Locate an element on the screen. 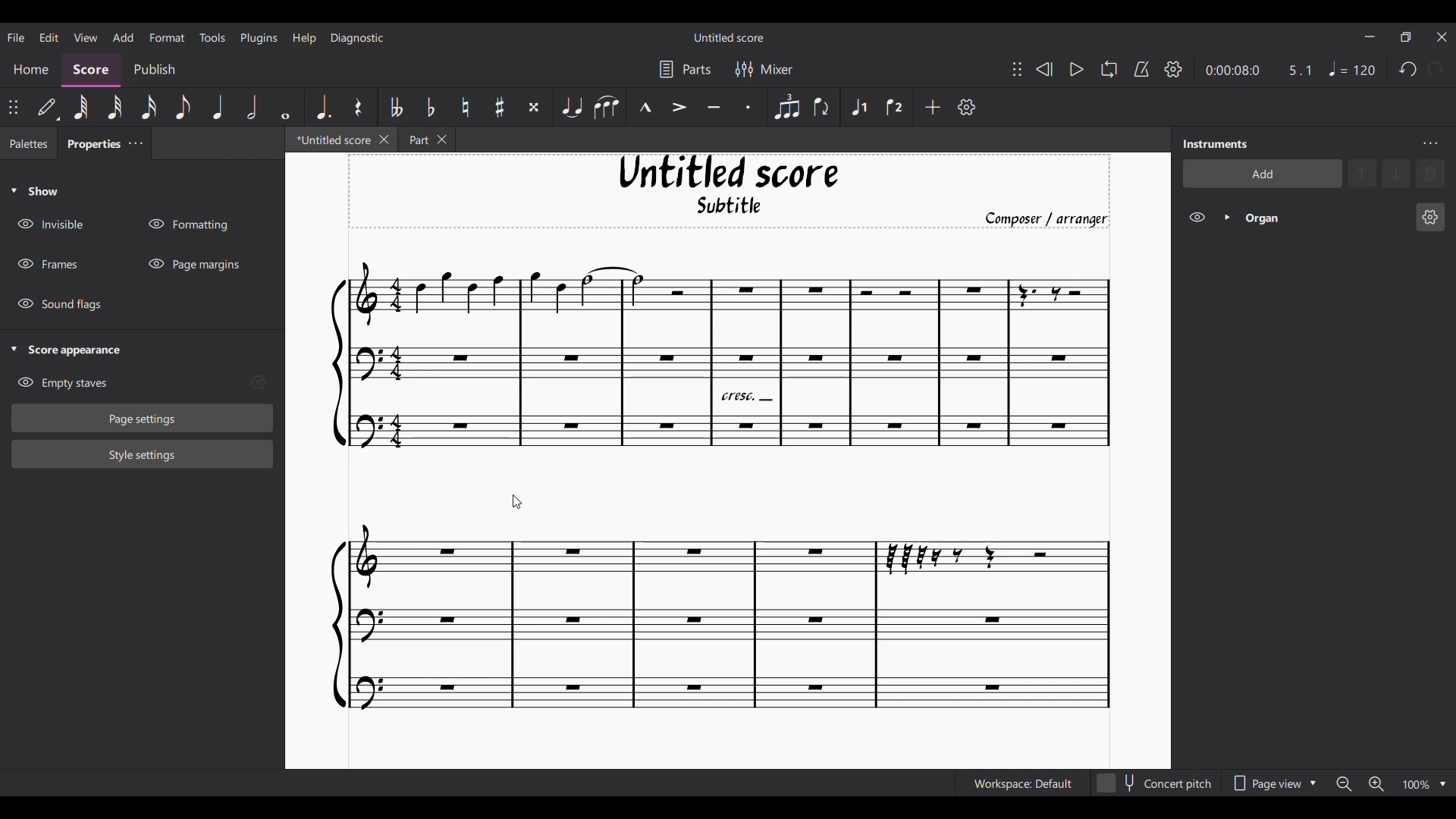 Image resolution: width=1456 pixels, height=819 pixels. Delete selection is located at coordinates (1431, 173).